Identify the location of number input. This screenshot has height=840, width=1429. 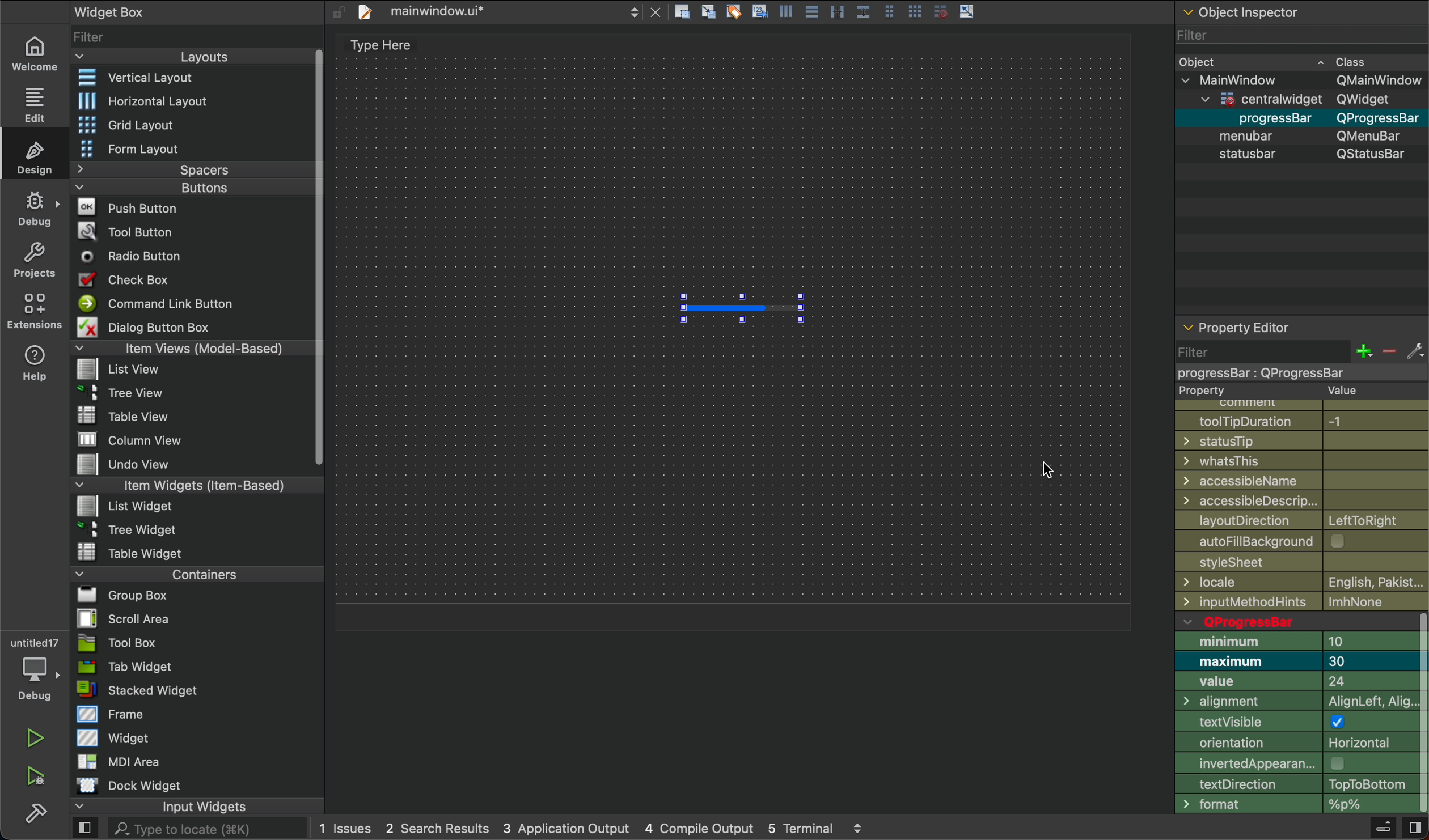
(1366, 664).